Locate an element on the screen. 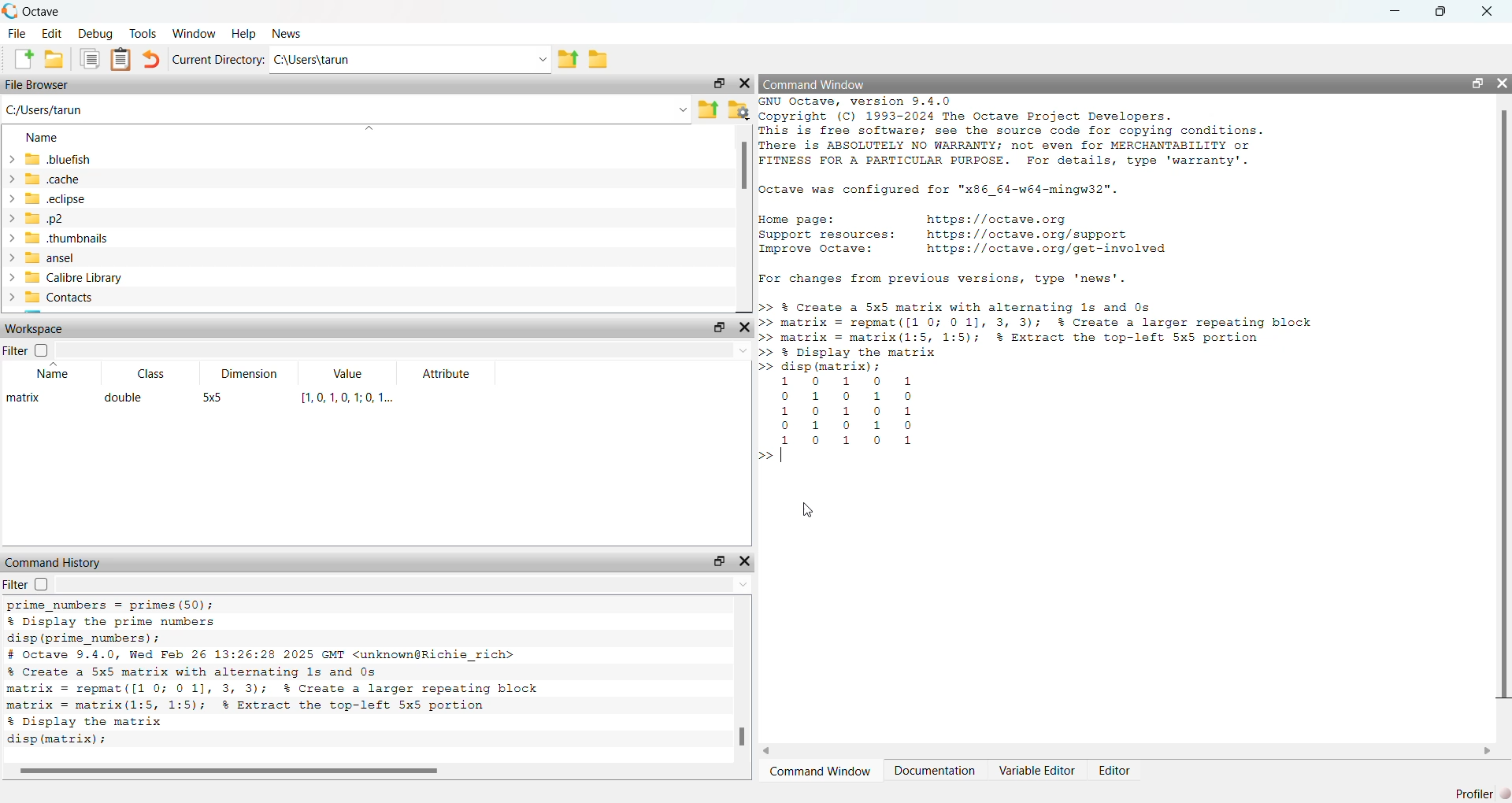 Image resolution: width=1512 pixels, height=803 pixels. Filter is located at coordinates (28, 350).